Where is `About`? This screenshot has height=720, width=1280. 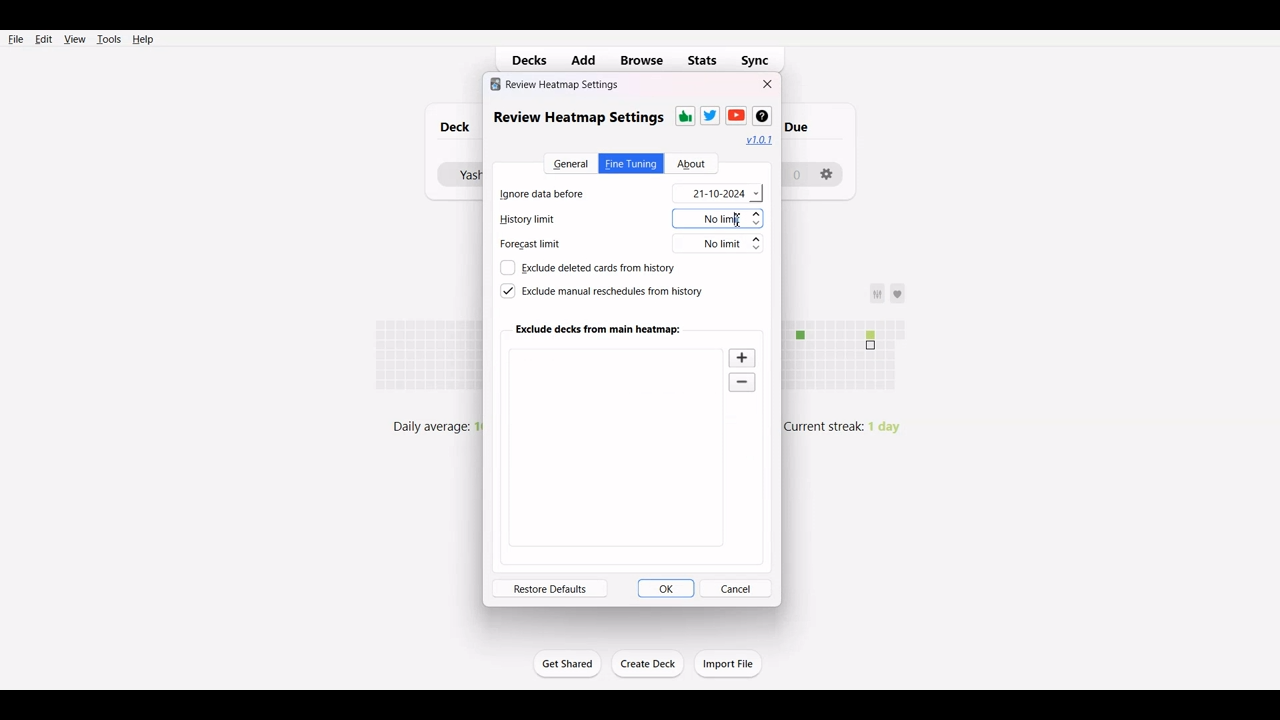
About is located at coordinates (691, 164).